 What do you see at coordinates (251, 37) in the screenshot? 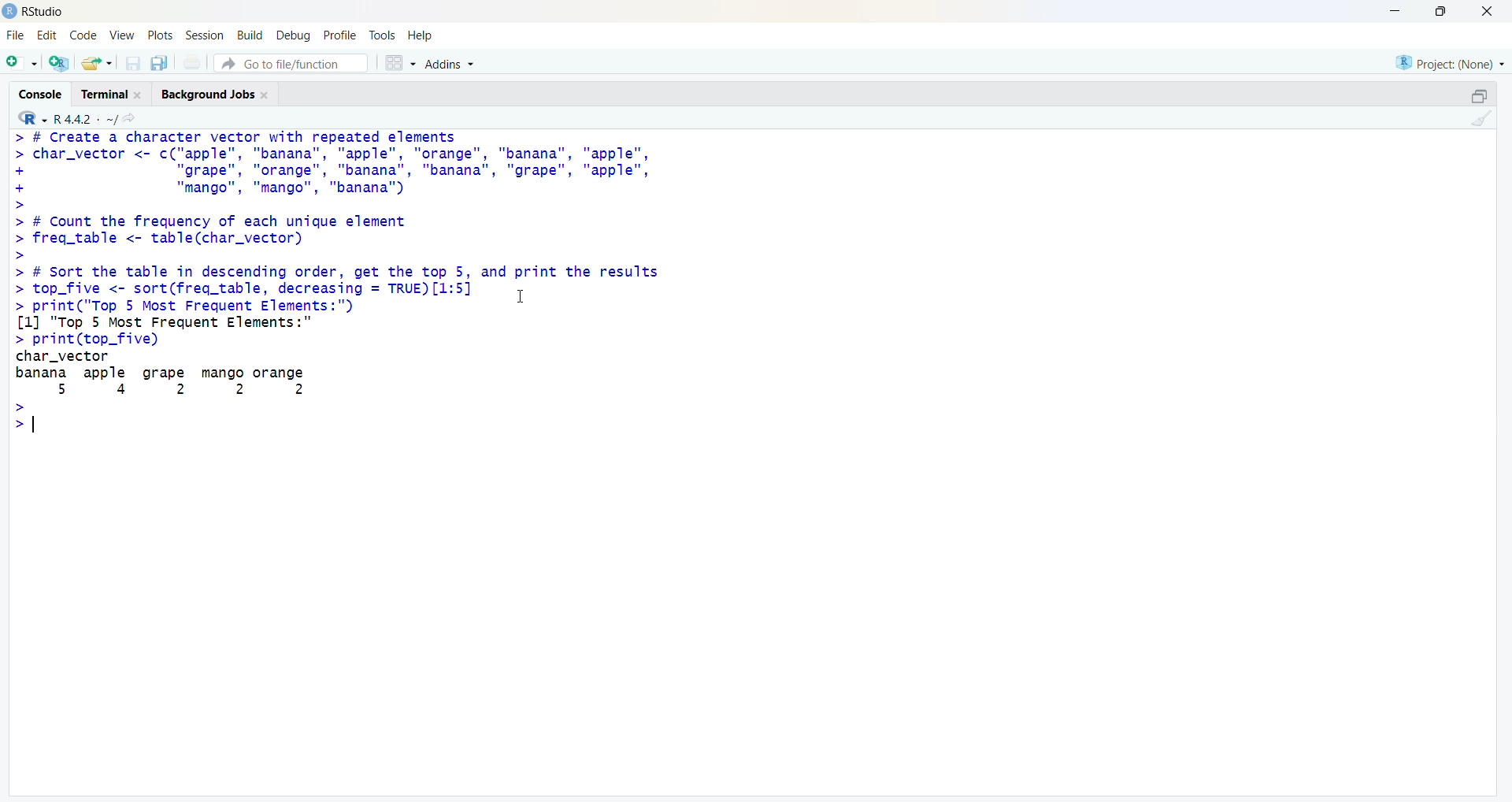
I see `Build` at bounding box center [251, 37].